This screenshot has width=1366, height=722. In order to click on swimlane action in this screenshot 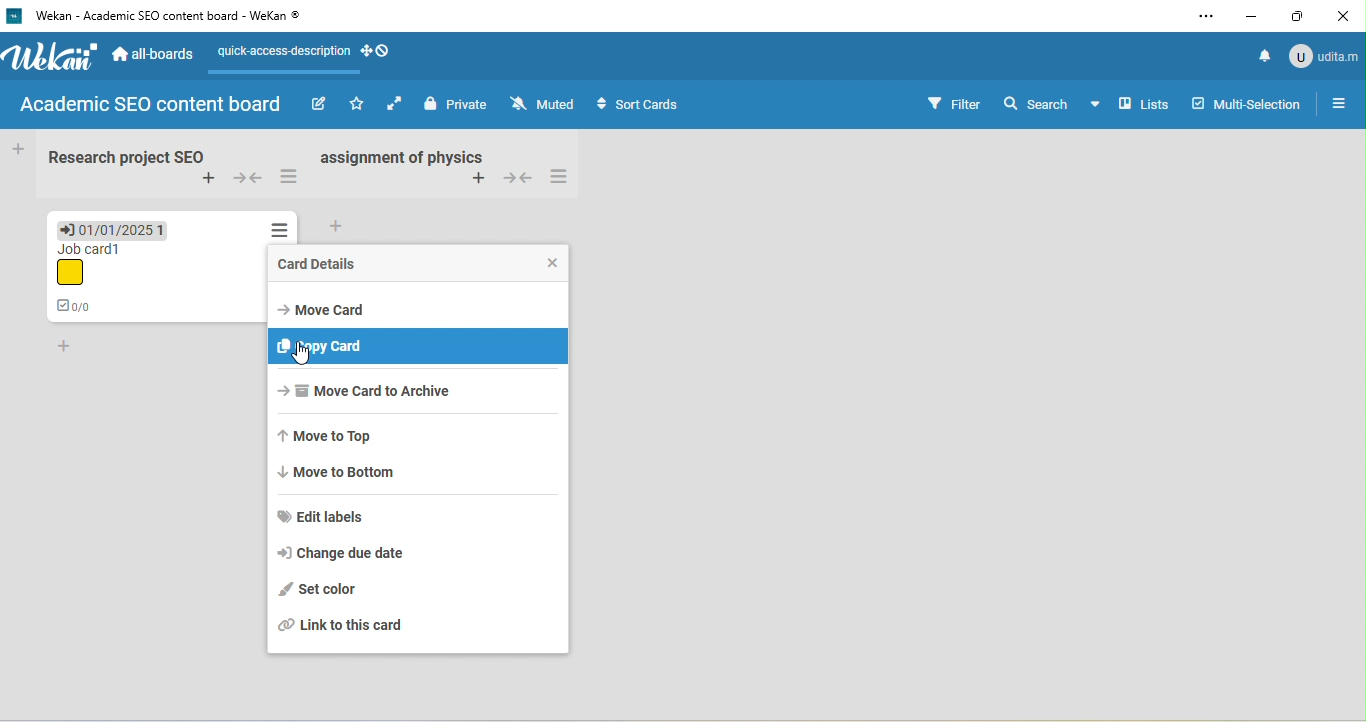, I will do `click(563, 176)`.